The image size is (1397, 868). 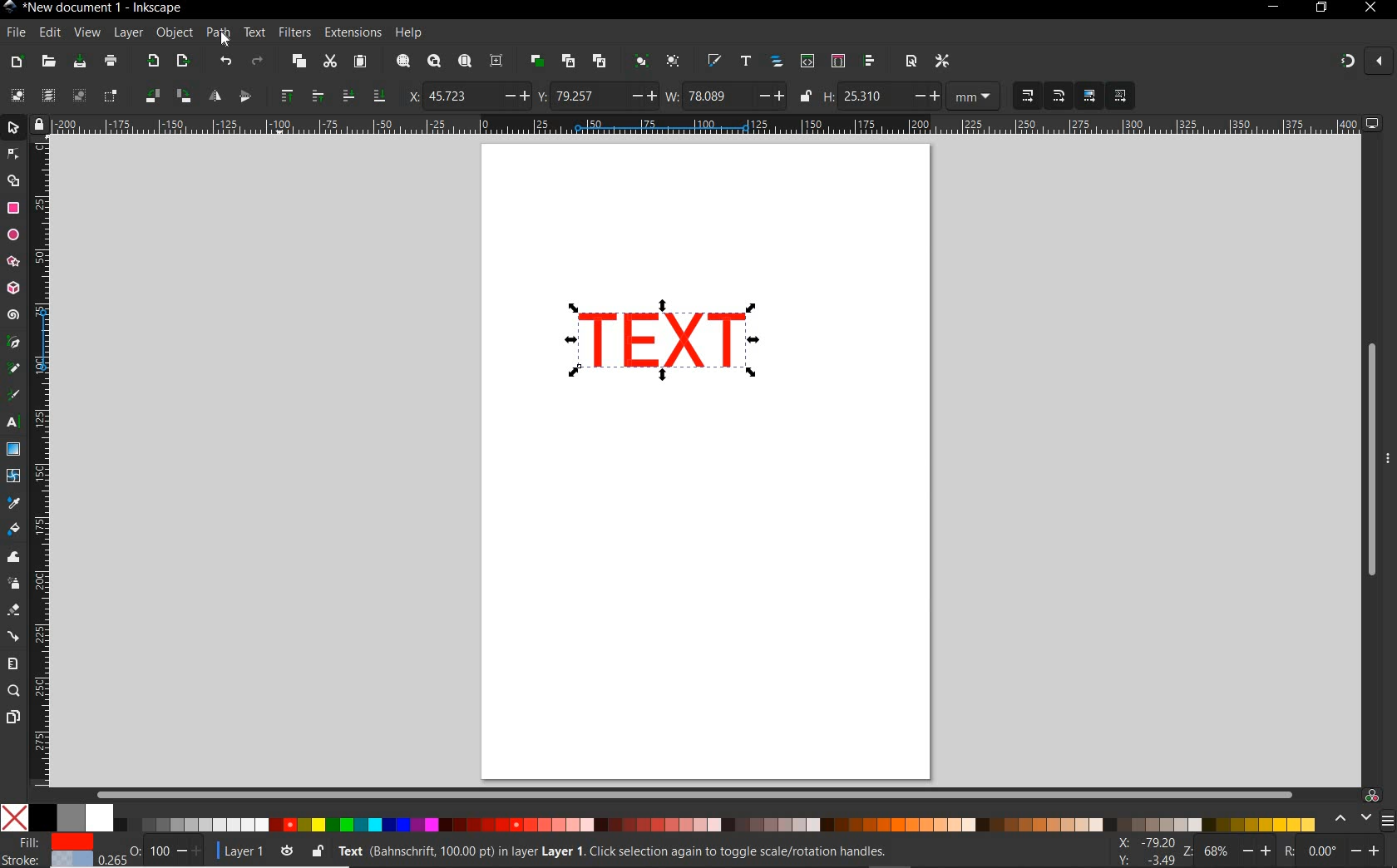 I want to click on PENCIL TOOL, so click(x=13, y=369).